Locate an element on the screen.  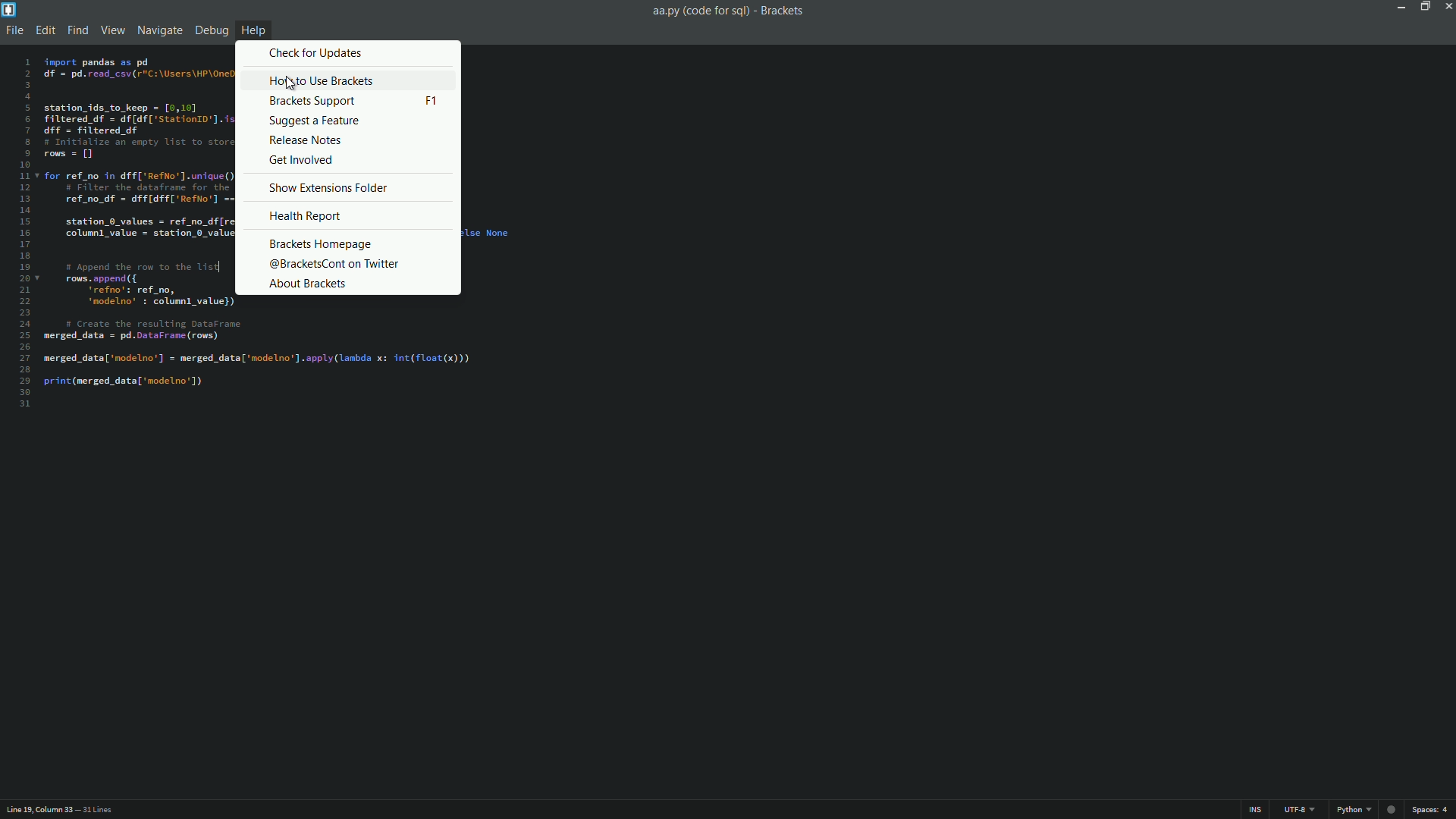
view menu is located at coordinates (113, 31).